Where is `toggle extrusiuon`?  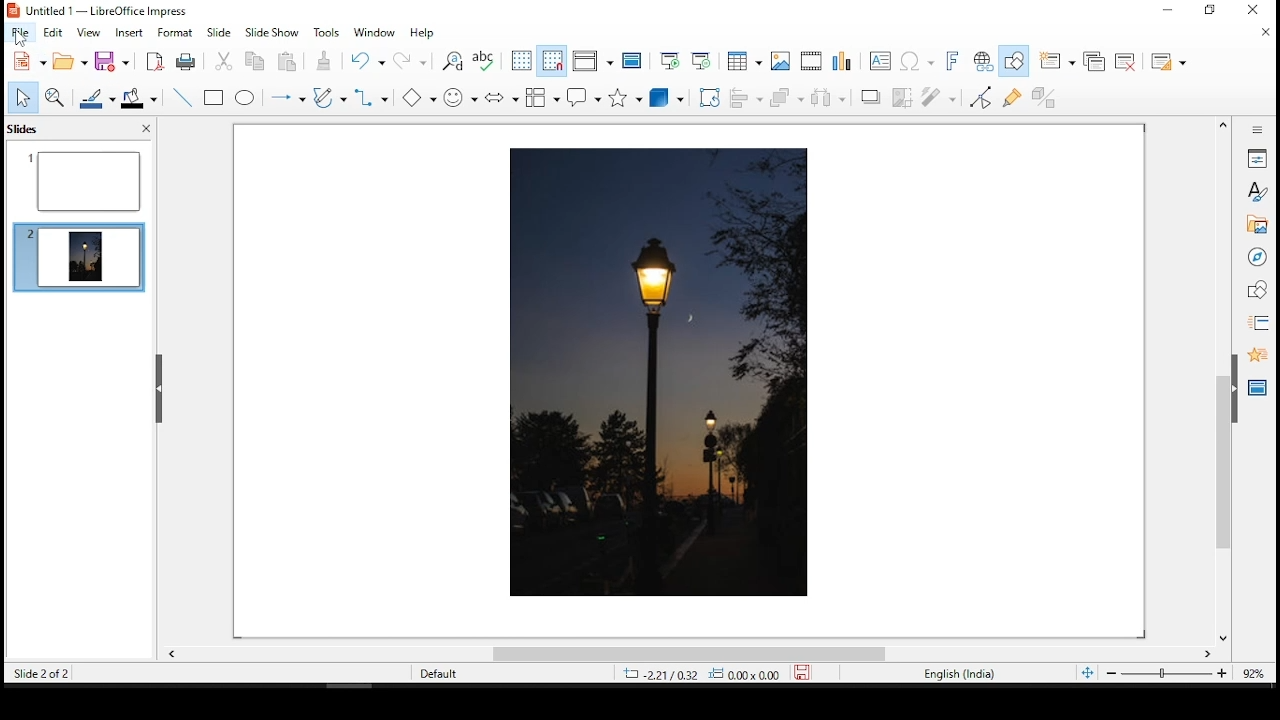 toggle extrusiuon is located at coordinates (1050, 96).